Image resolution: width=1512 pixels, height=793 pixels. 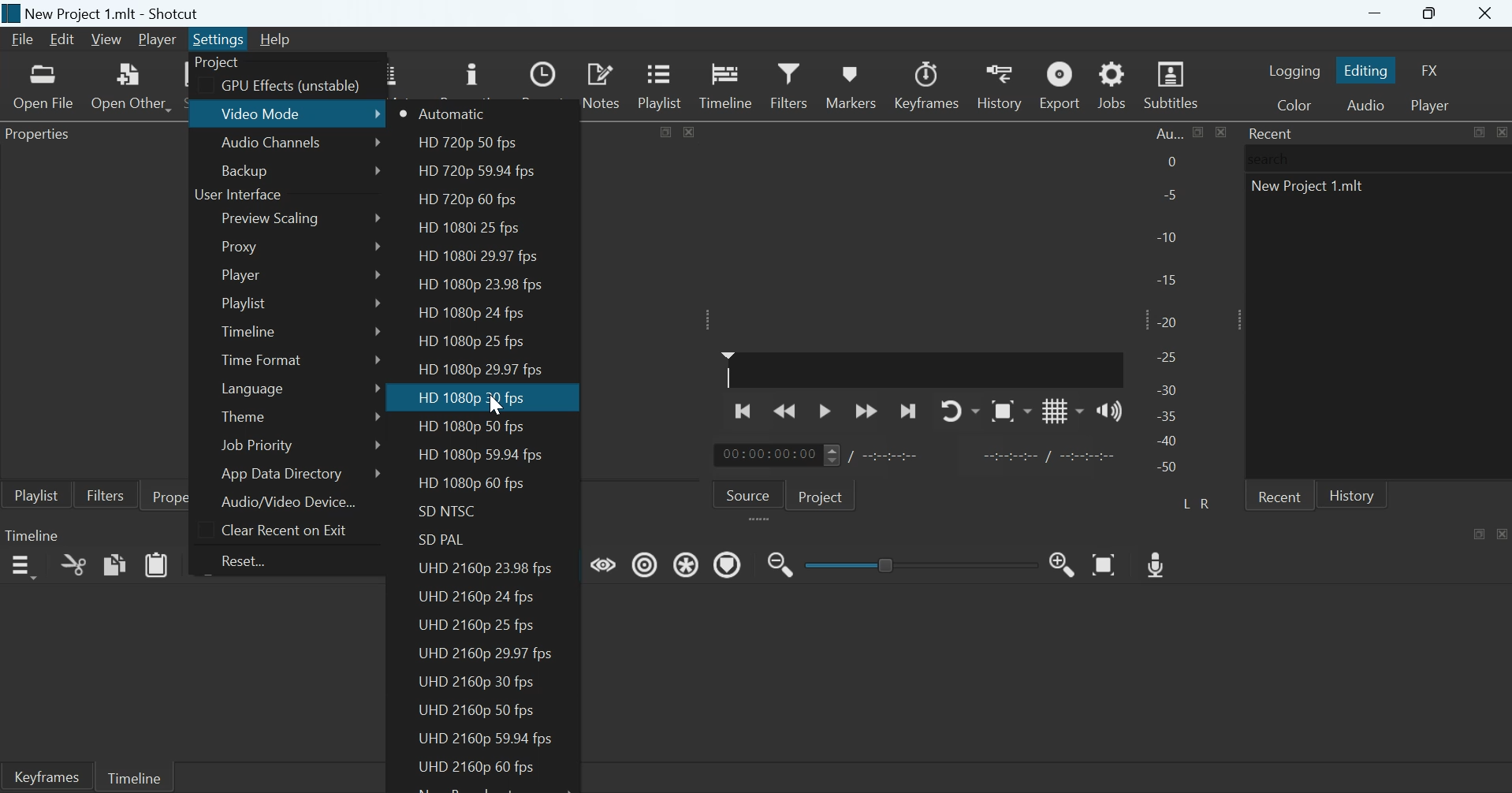 What do you see at coordinates (667, 130) in the screenshot?
I see `Maximize` at bounding box center [667, 130].